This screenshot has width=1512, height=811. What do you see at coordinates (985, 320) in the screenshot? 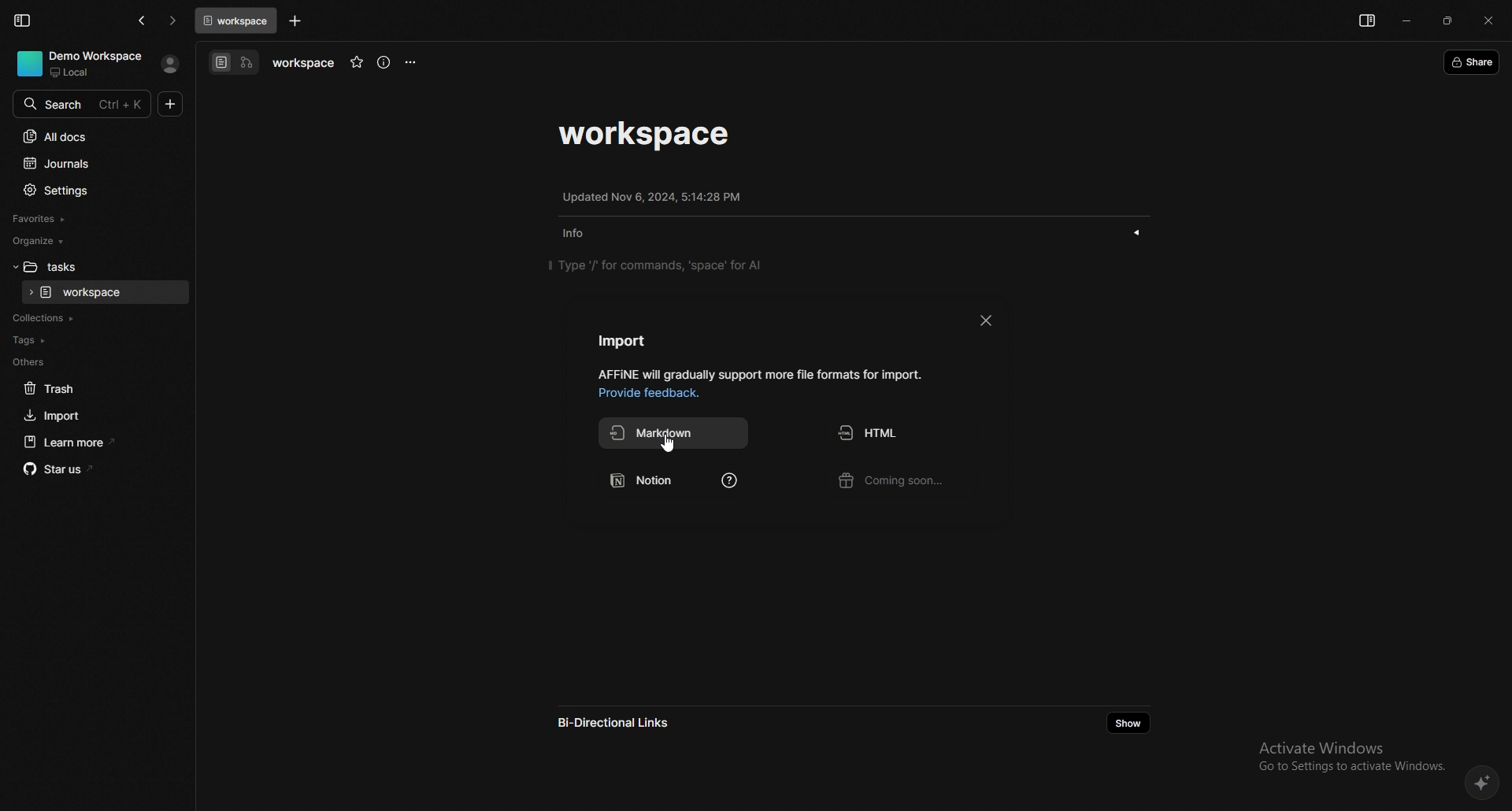
I see `close` at bounding box center [985, 320].